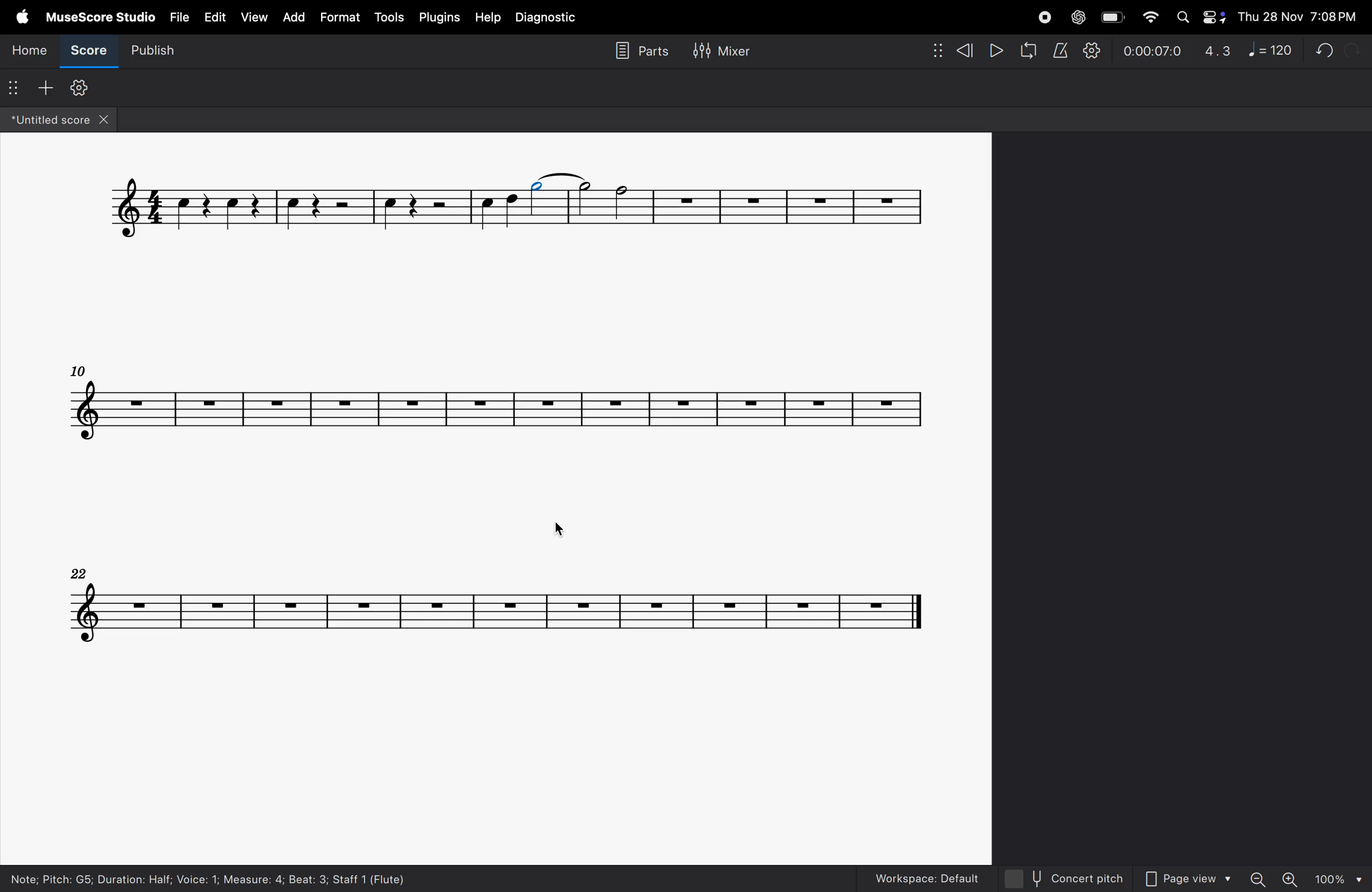  What do you see at coordinates (1271, 48) in the screenshot?
I see `note 120` at bounding box center [1271, 48].